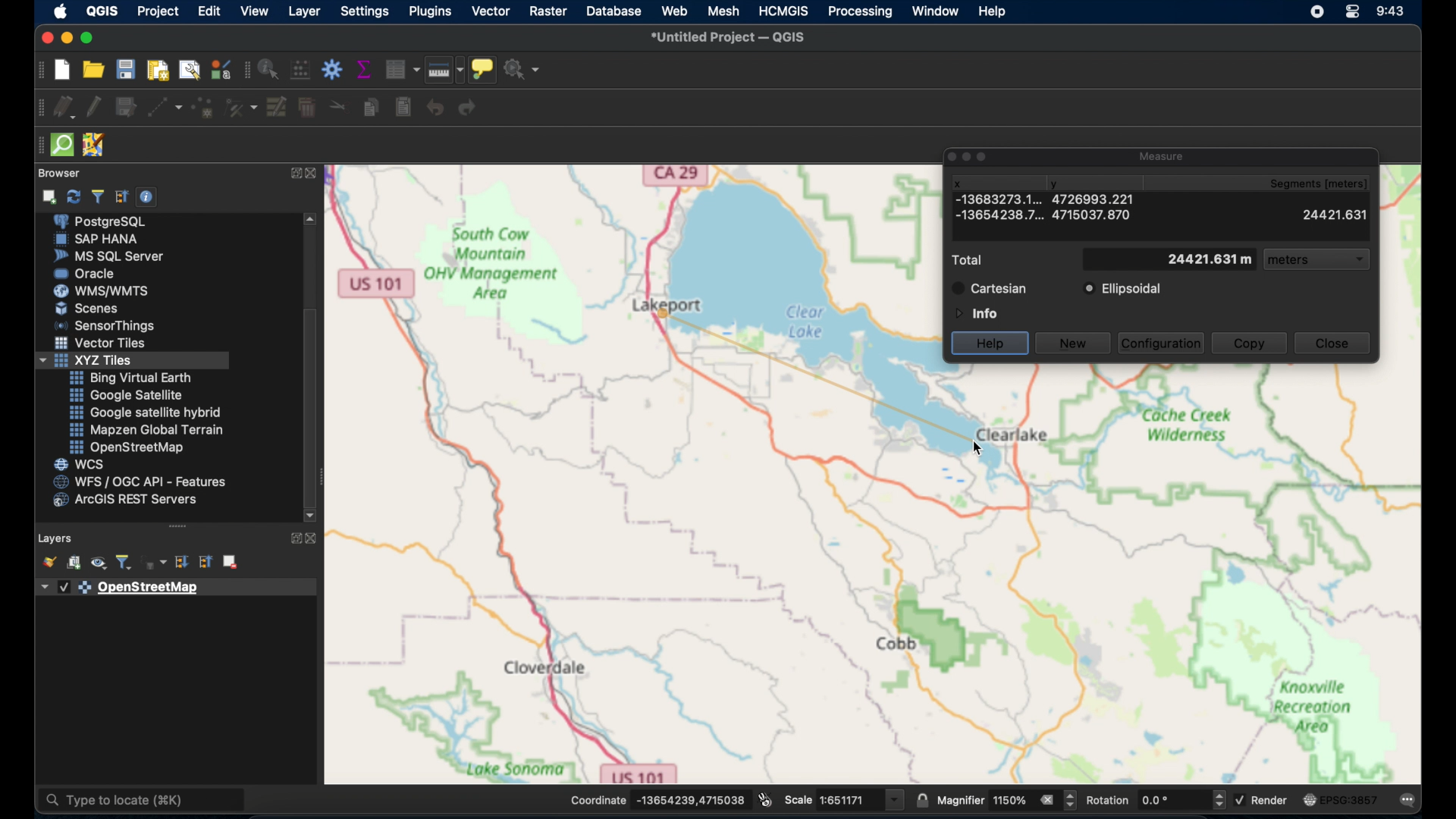 The width and height of the screenshot is (1456, 819). I want to click on info radio button, so click(974, 312).